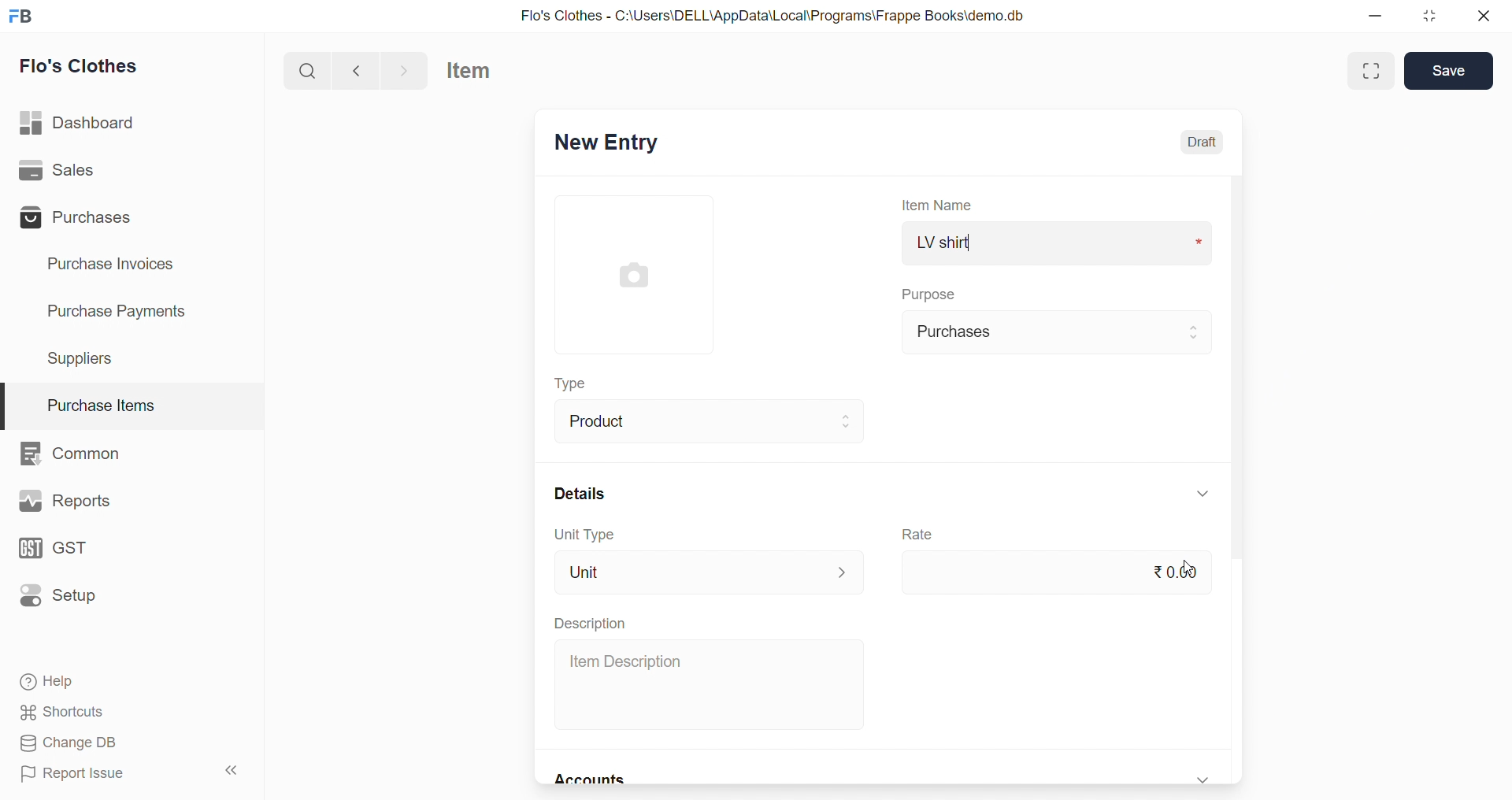 This screenshot has height=800, width=1512. What do you see at coordinates (124, 743) in the screenshot?
I see `Change DB` at bounding box center [124, 743].